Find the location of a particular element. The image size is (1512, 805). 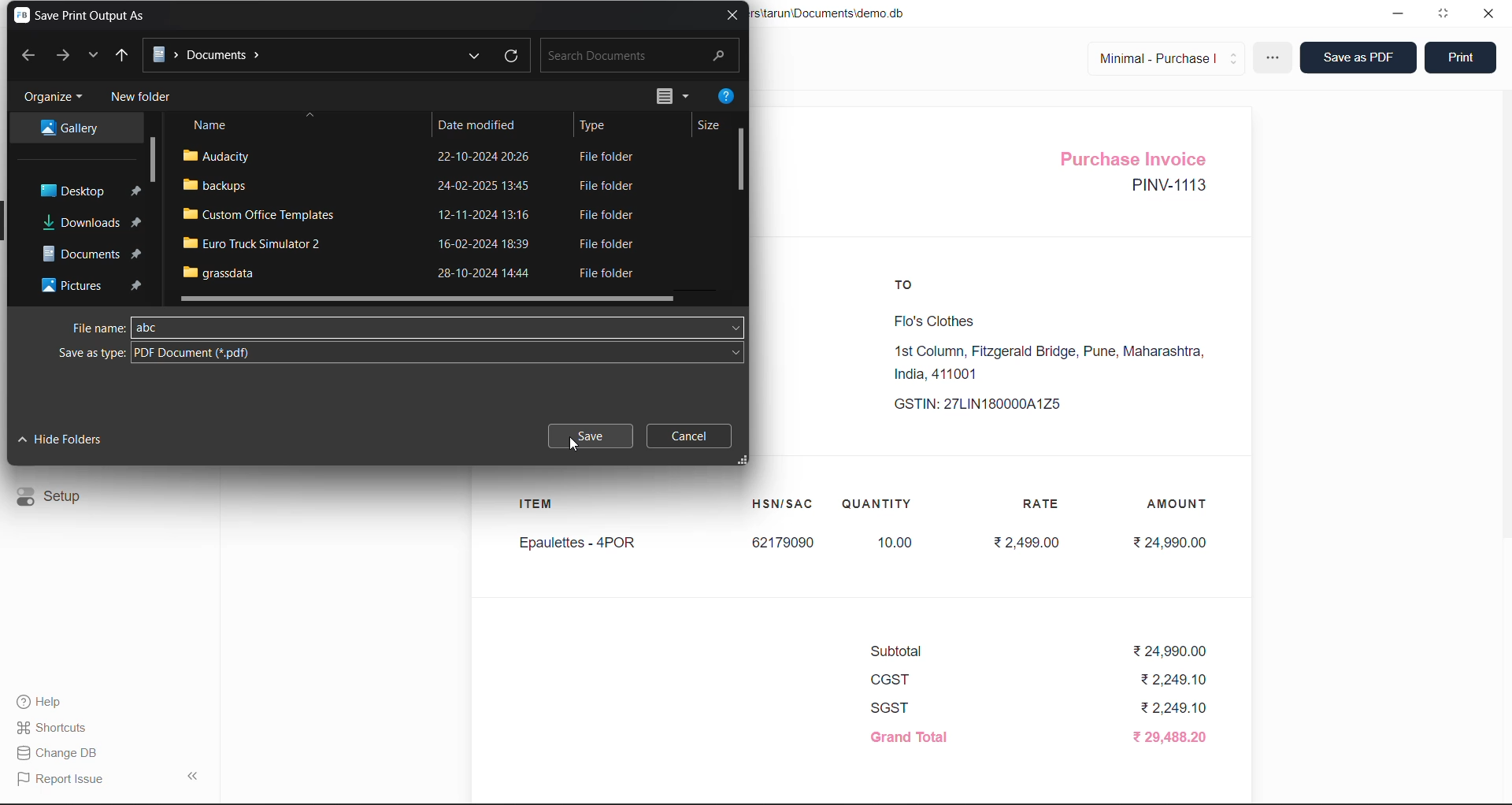

window mode is located at coordinates (1445, 13).